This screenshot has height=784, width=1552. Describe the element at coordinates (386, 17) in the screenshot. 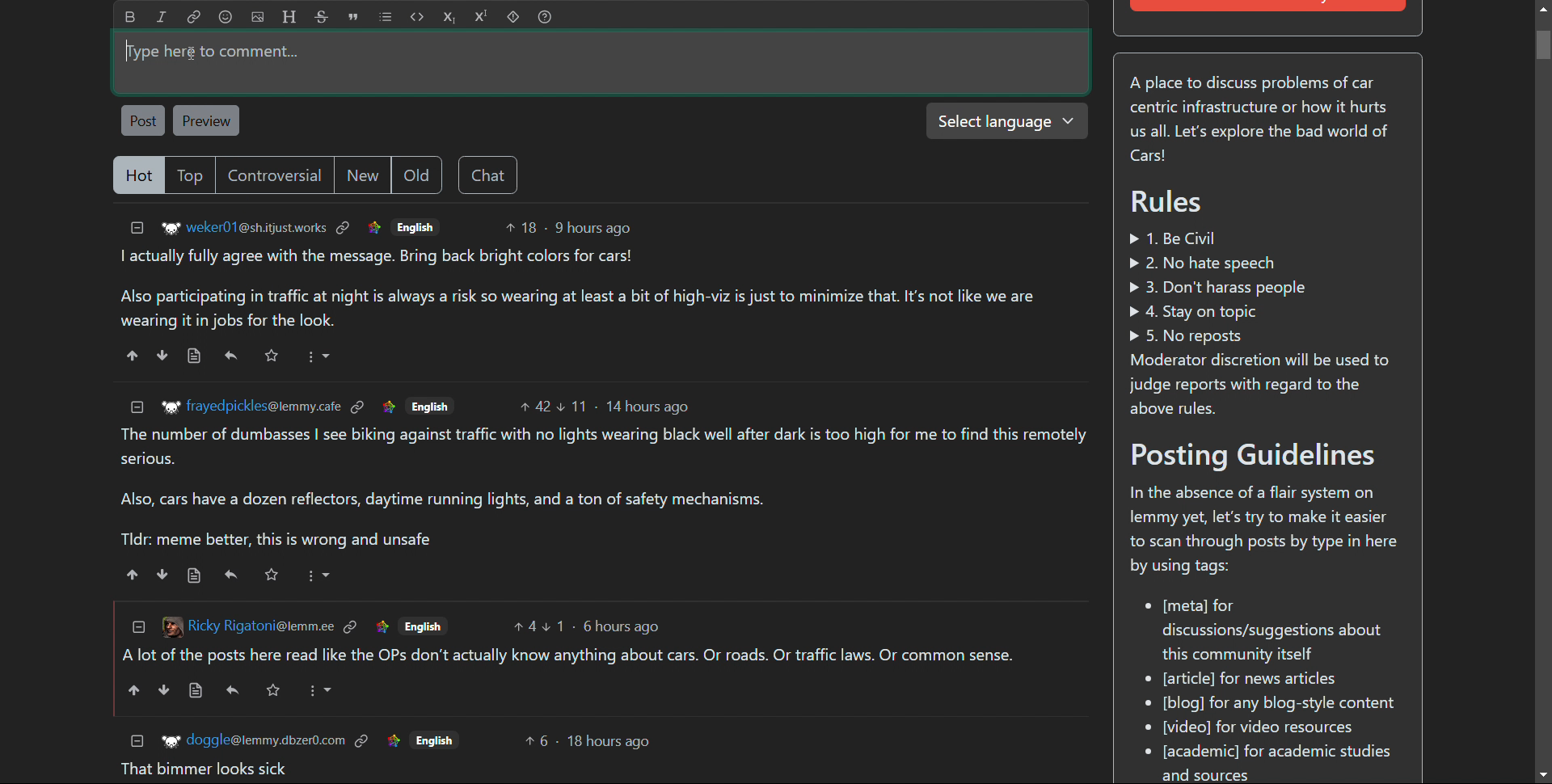

I see `list` at that location.